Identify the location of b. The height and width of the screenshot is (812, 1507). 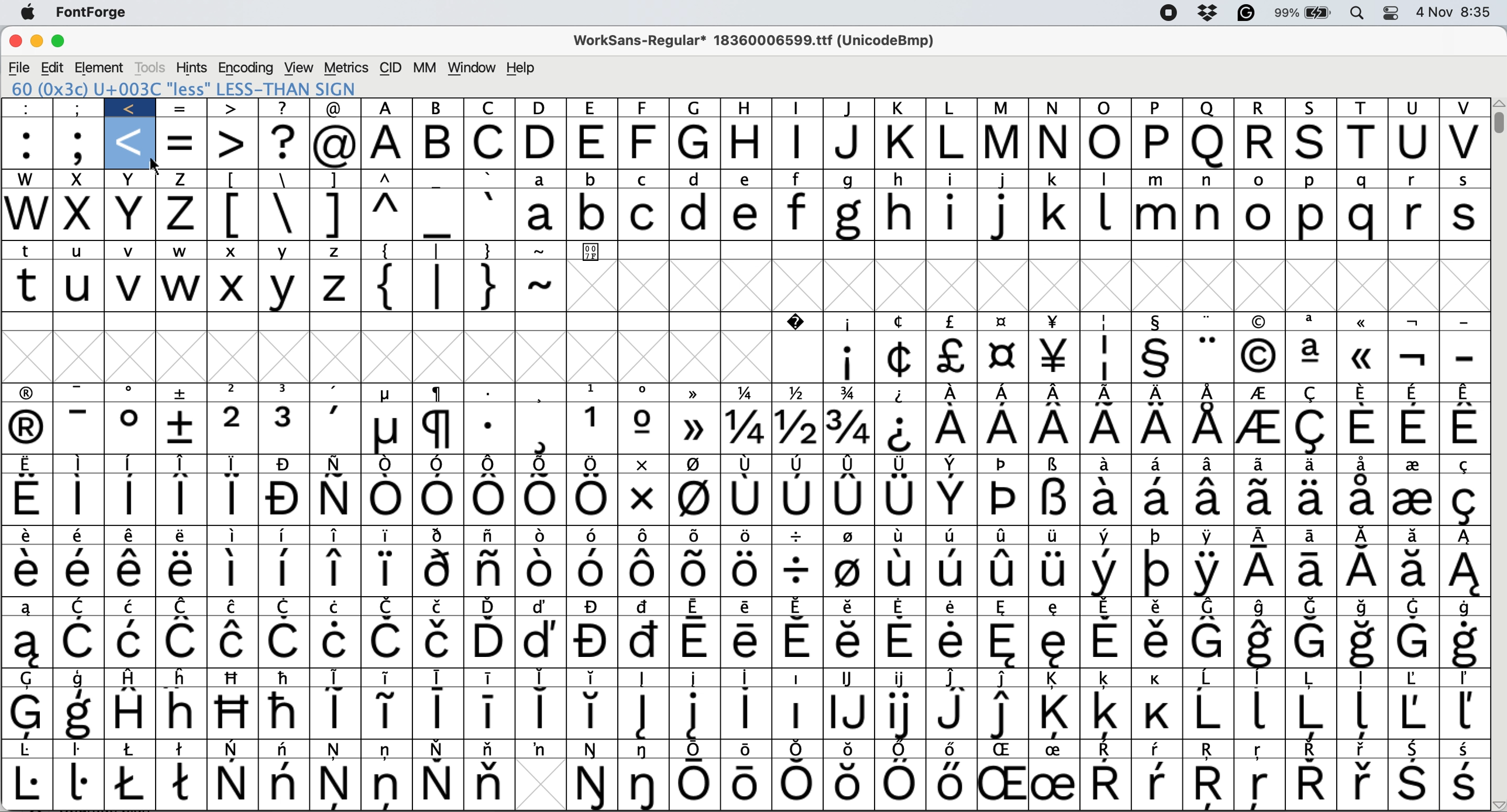
(440, 109).